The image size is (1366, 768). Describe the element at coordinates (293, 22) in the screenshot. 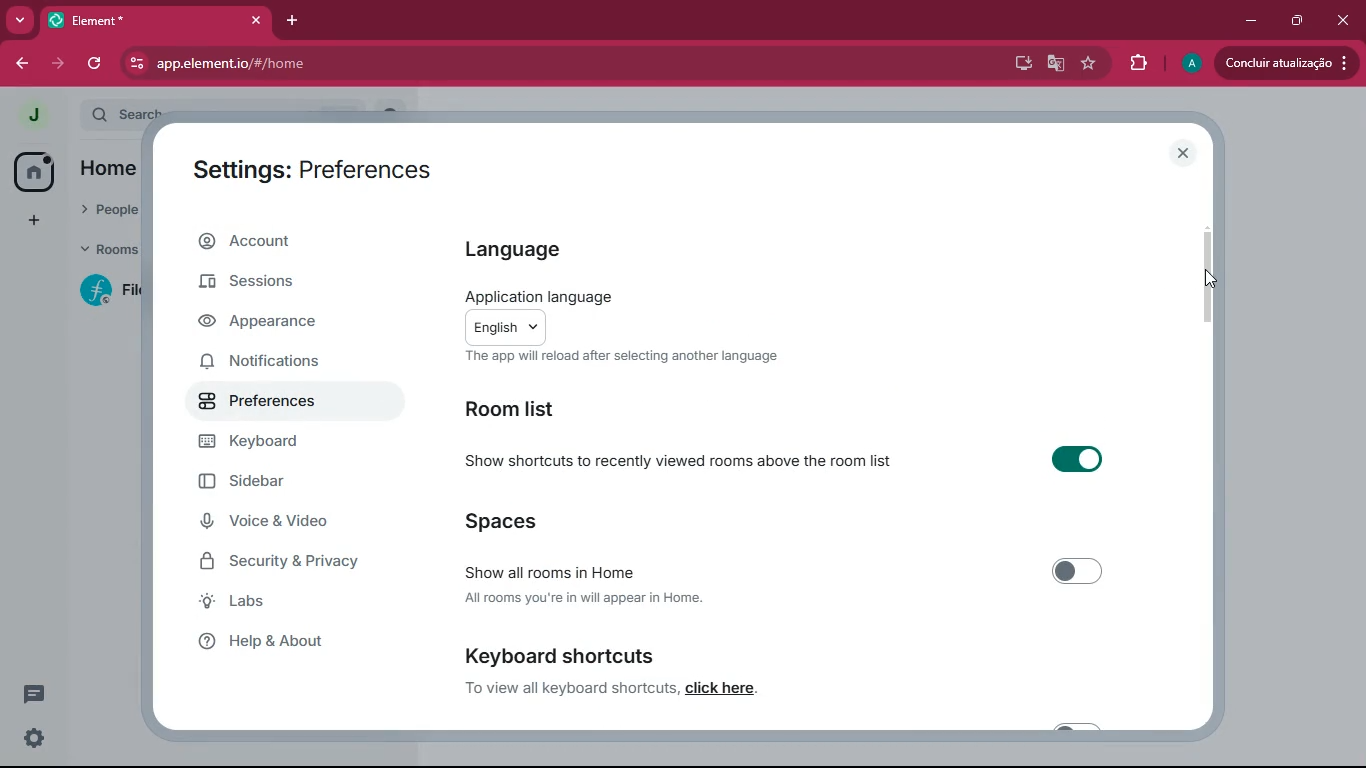

I see `add tab` at that location.